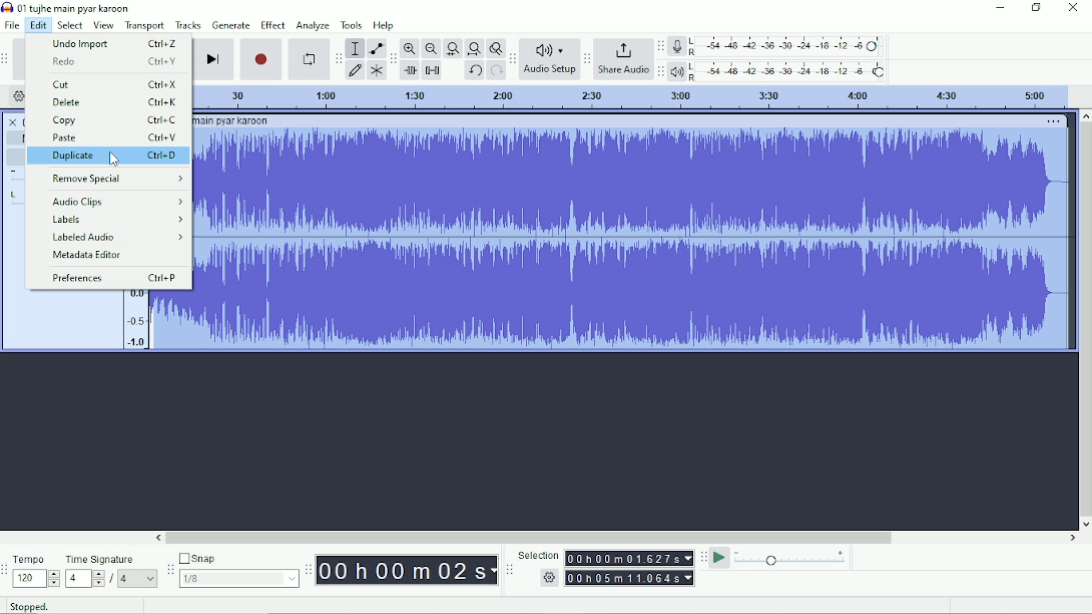 This screenshot has height=614, width=1092. Describe the element at coordinates (792, 558) in the screenshot. I see `Playback speed` at that location.